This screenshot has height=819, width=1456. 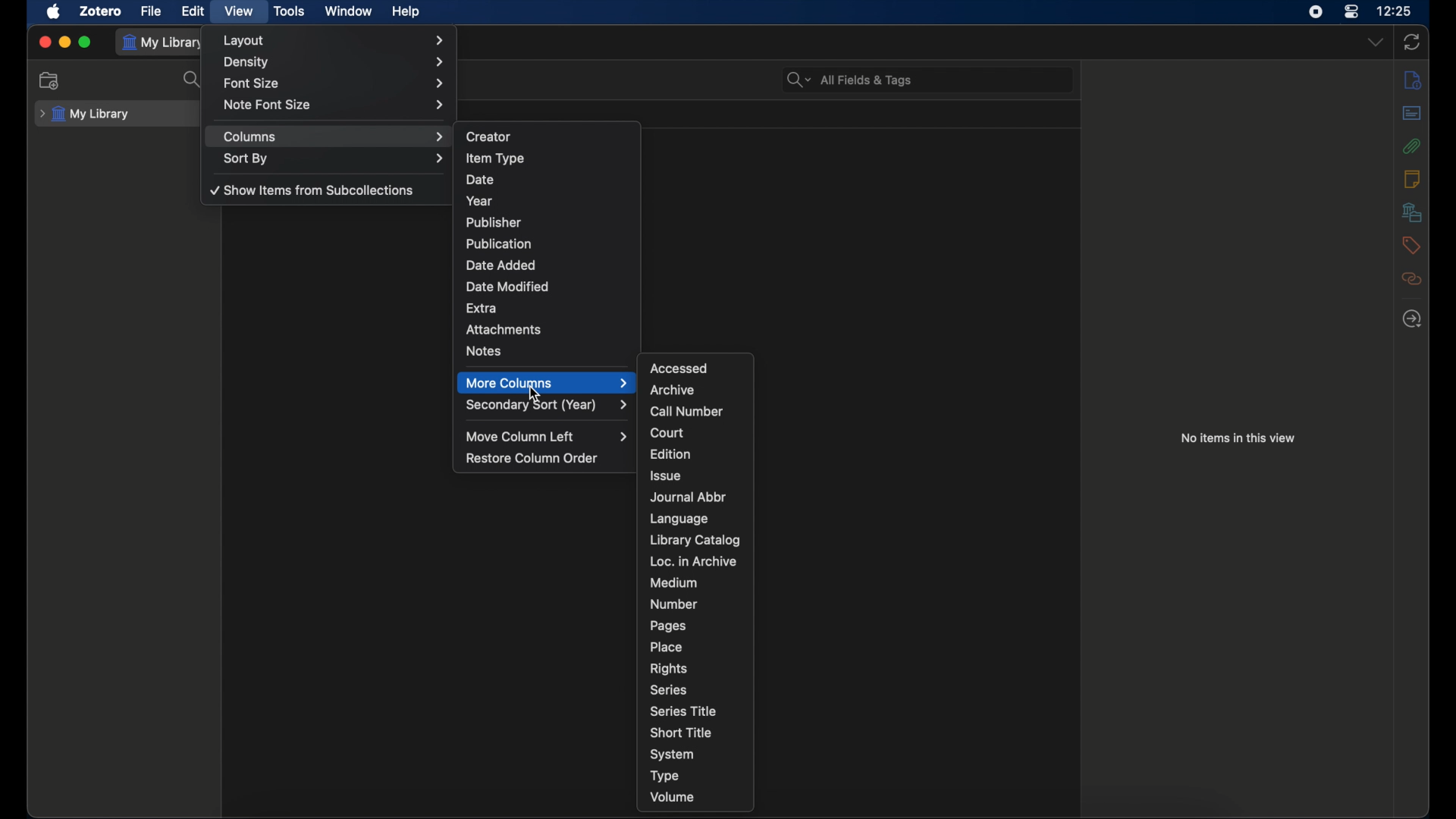 What do you see at coordinates (500, 264) in the screenshot?
I see `date added` at bounding box center [500, 264].